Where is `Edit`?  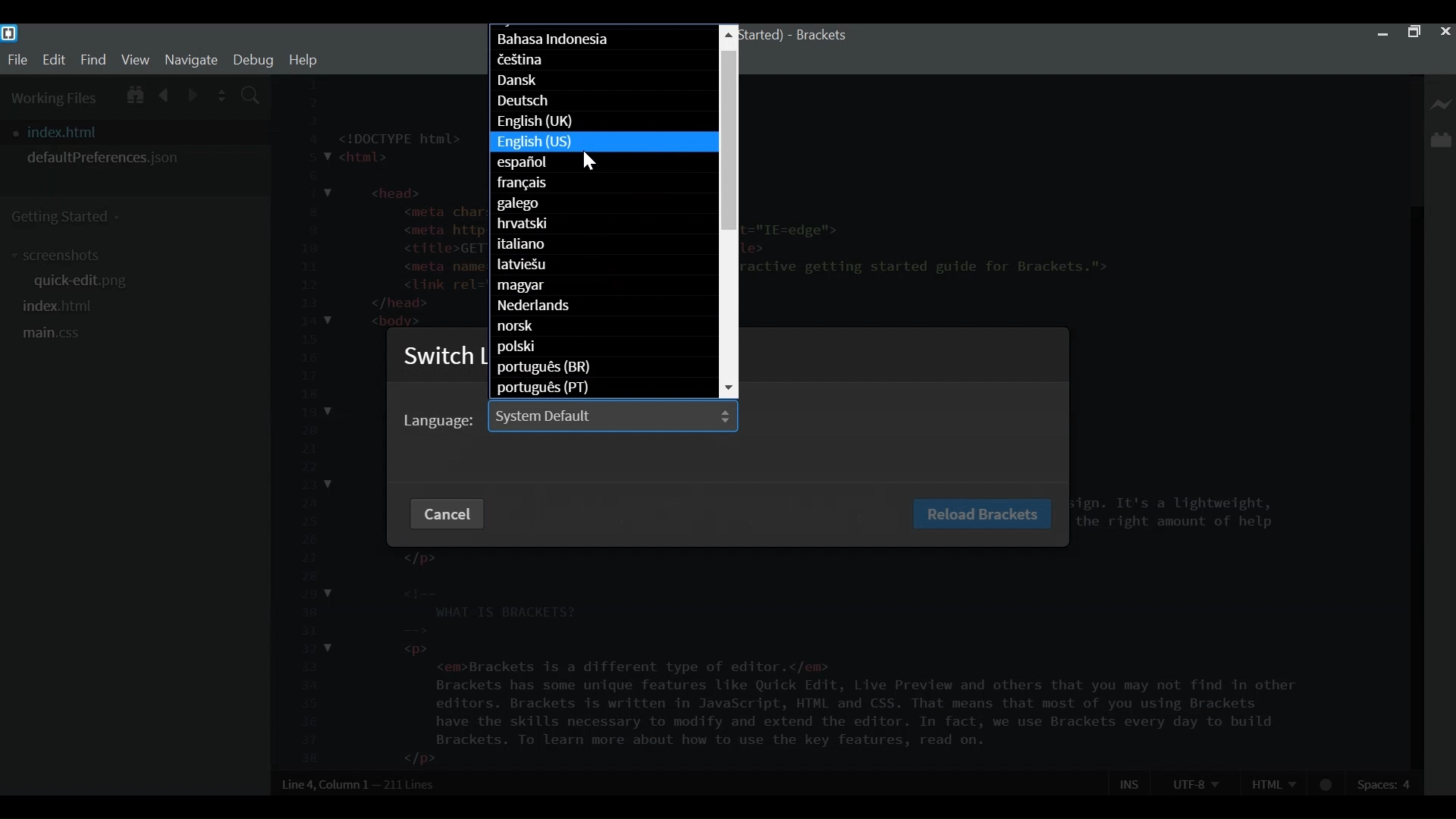
Edit is located at coordinates (53, 60).